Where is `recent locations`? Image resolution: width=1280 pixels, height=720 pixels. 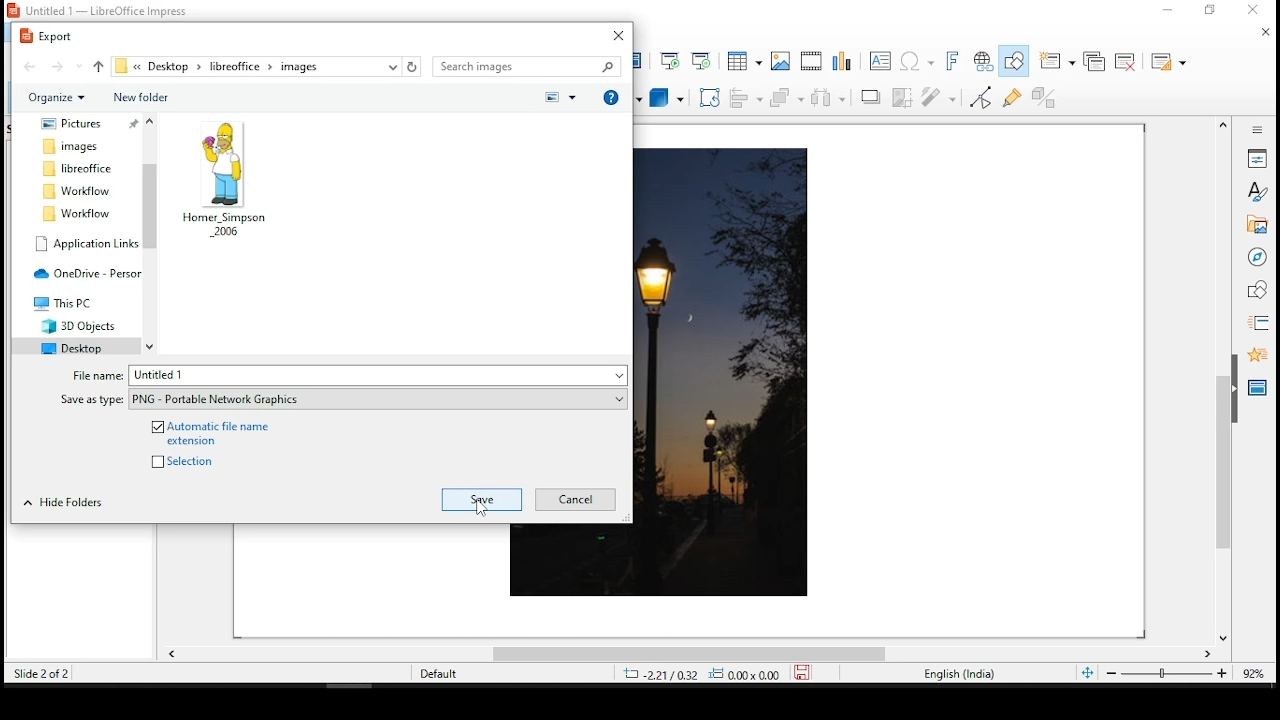
recent locations is located at coordinates (393, 66).